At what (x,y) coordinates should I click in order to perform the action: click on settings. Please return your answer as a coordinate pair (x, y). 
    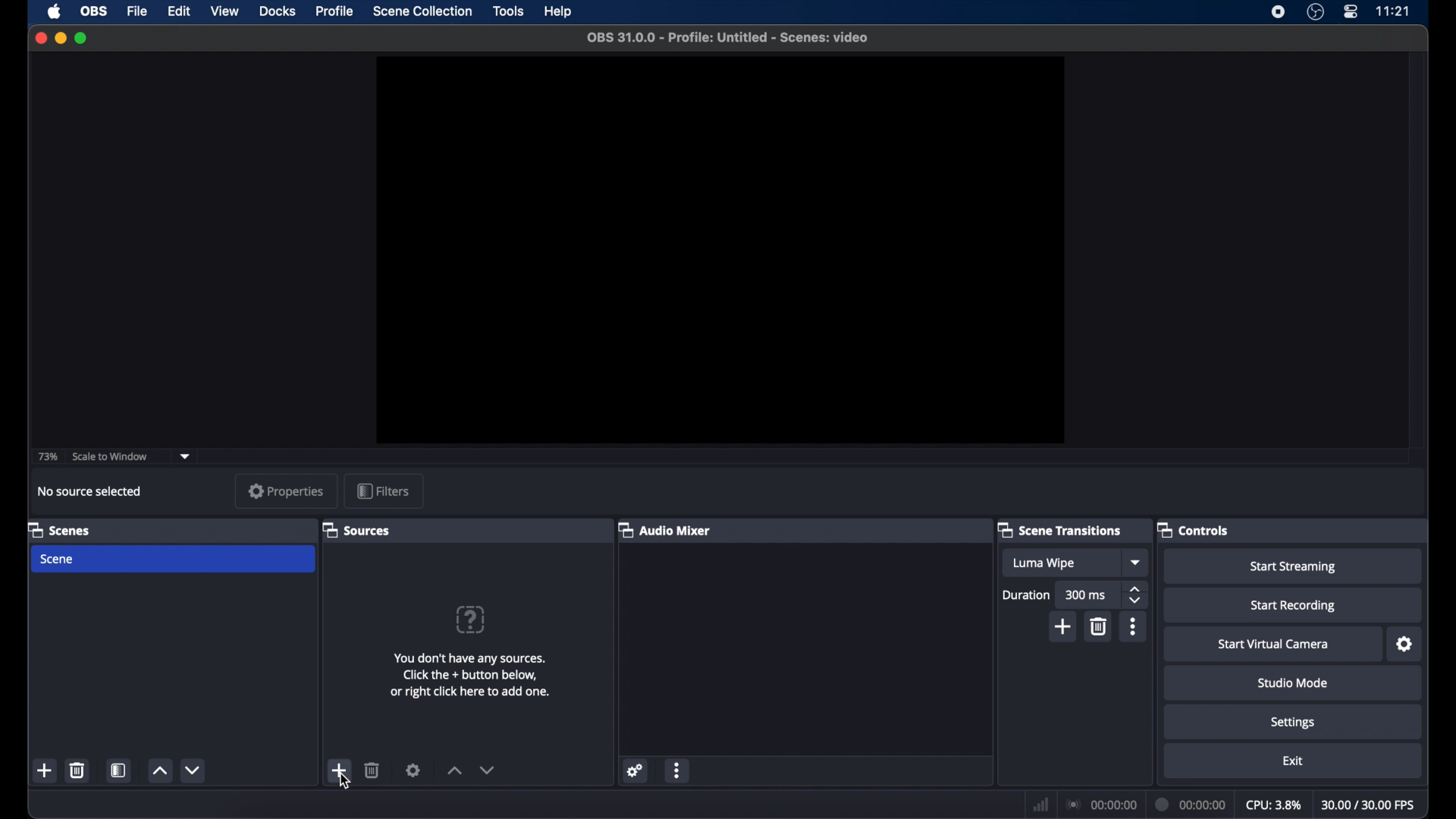
    Looking at the image, I should click on (414, 770).